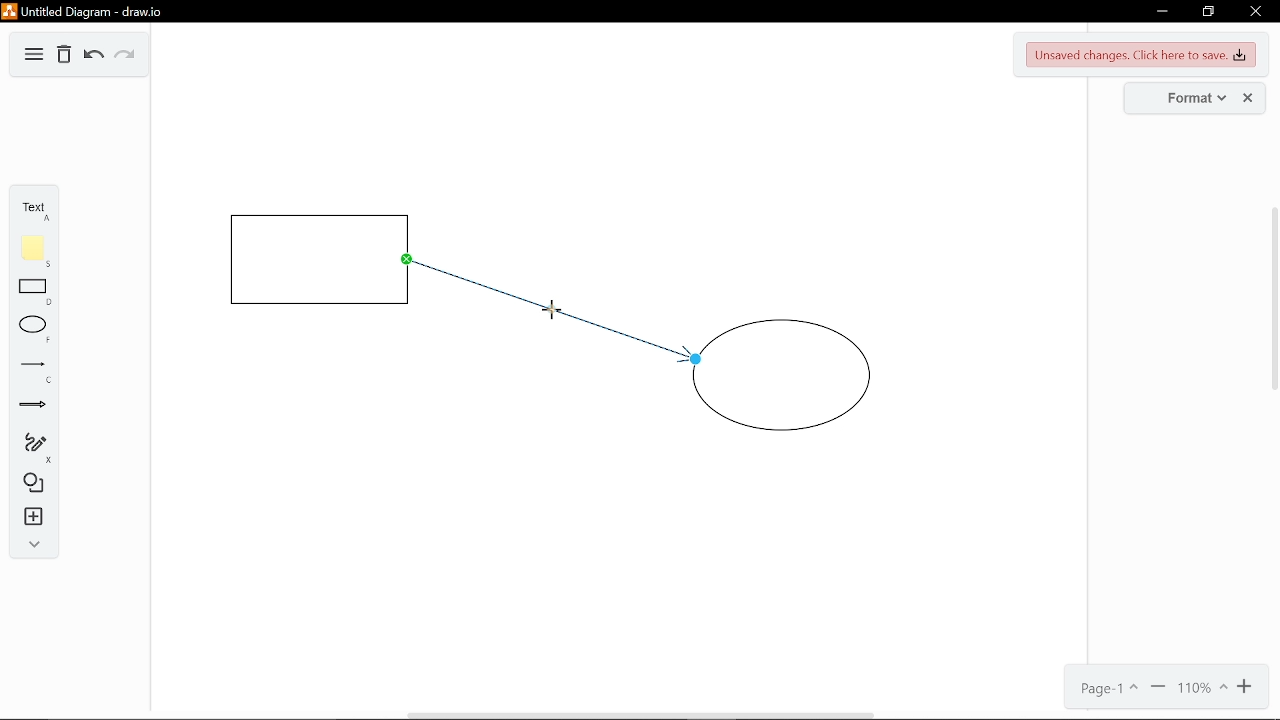 Image resolution: width=1280 pixels, height=720 pixels. I want to click on Format, so click(1194, 97).